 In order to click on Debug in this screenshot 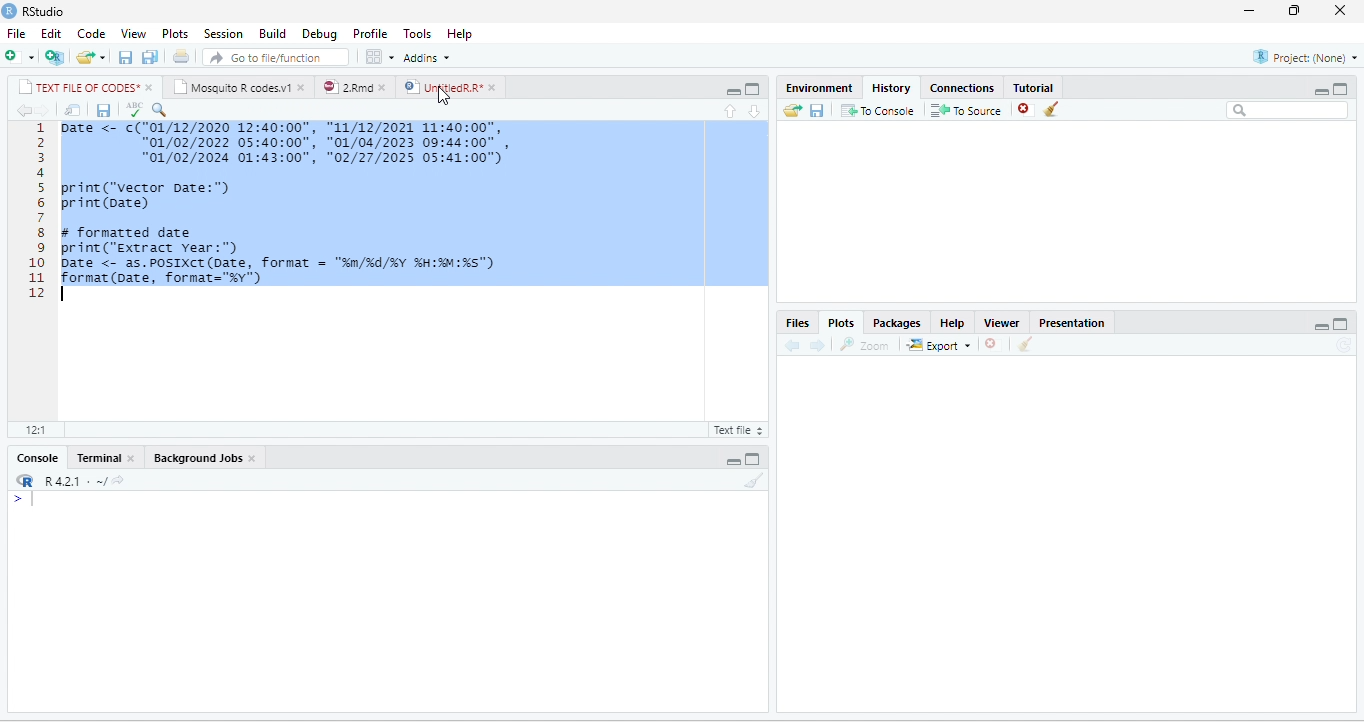, I will do `click(321, 34)`.